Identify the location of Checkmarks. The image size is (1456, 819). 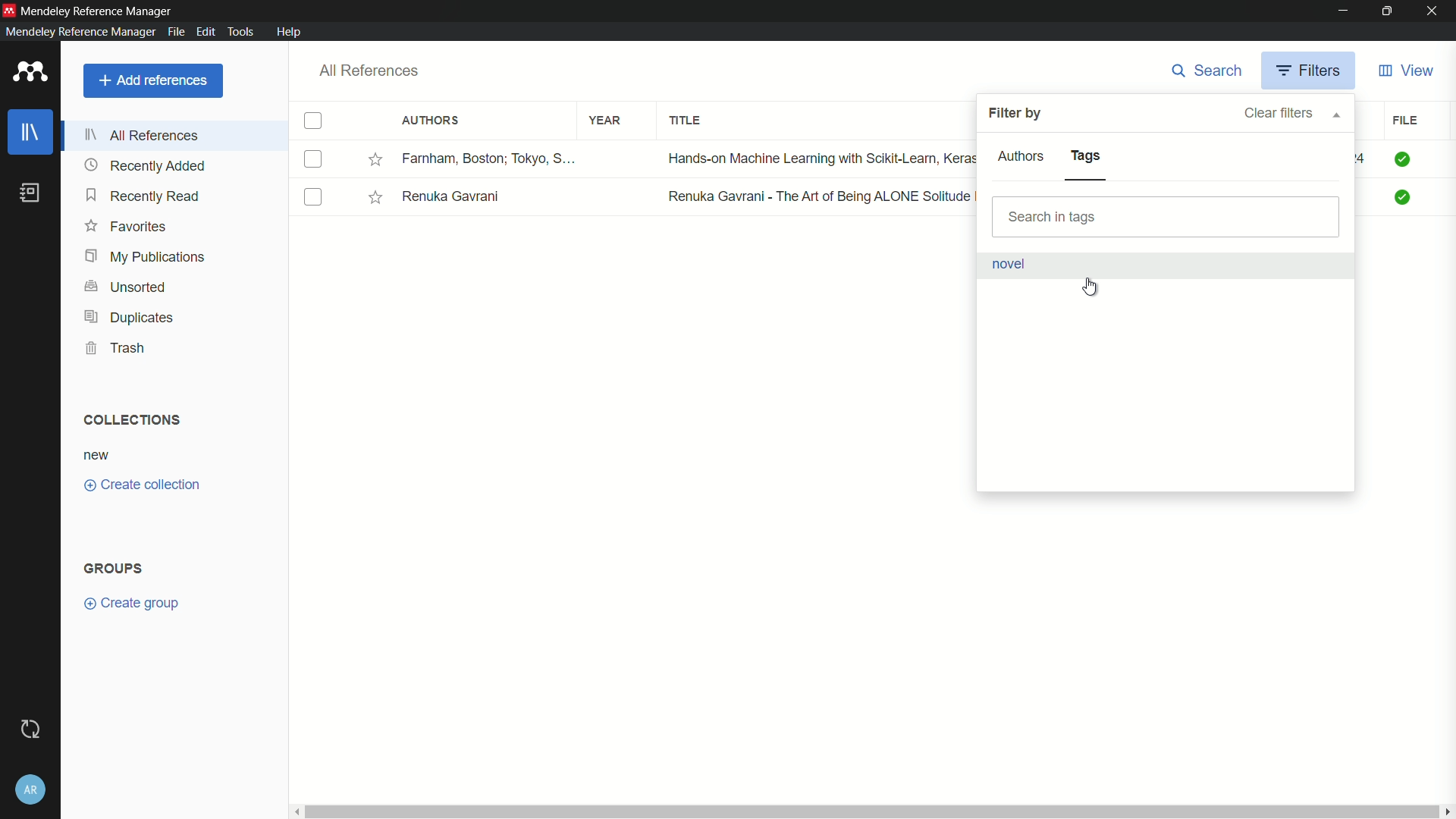
(1404, 197).